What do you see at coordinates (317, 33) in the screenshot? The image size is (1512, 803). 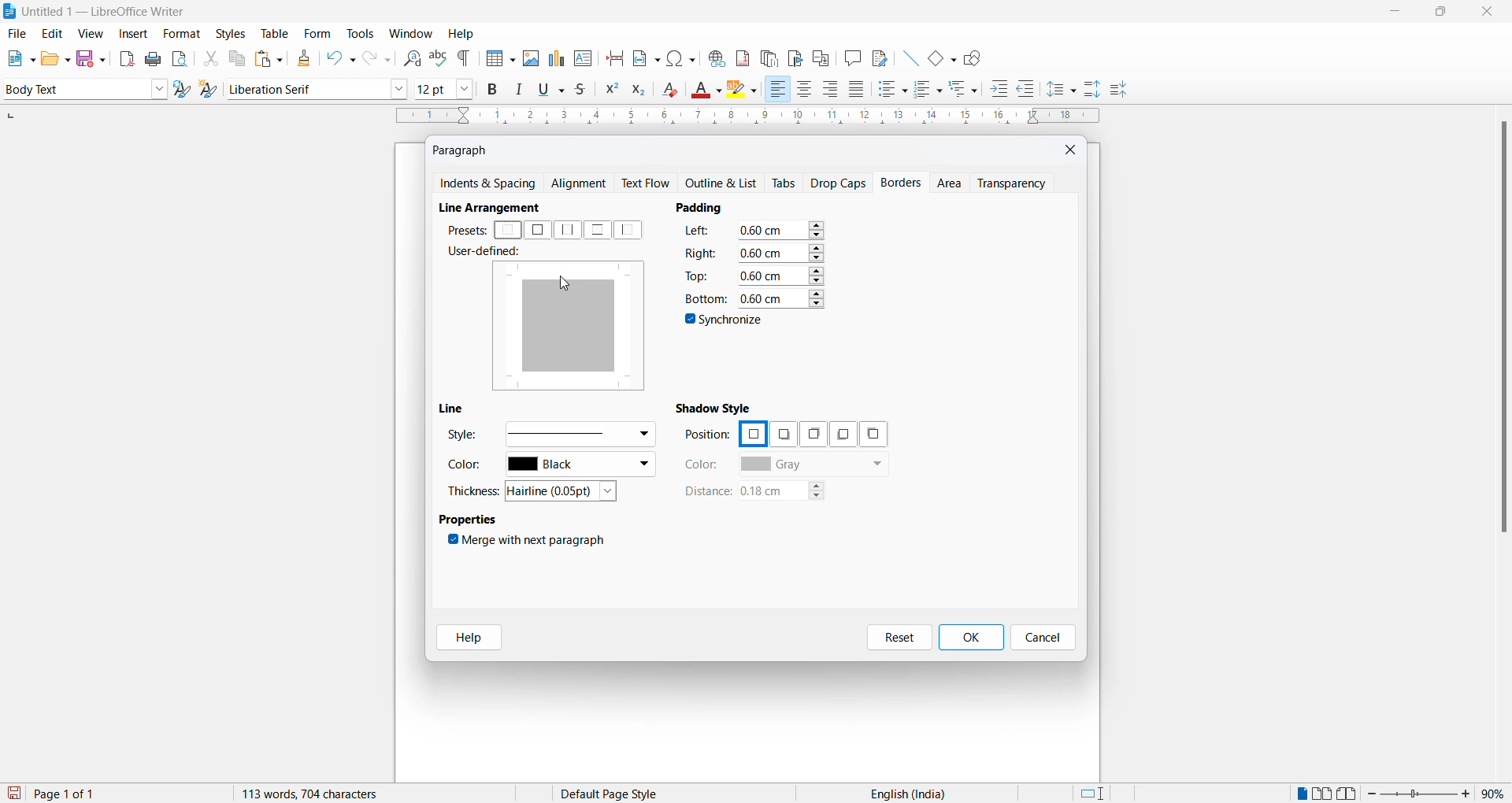 I see `form` at bounding box center [317, 33].